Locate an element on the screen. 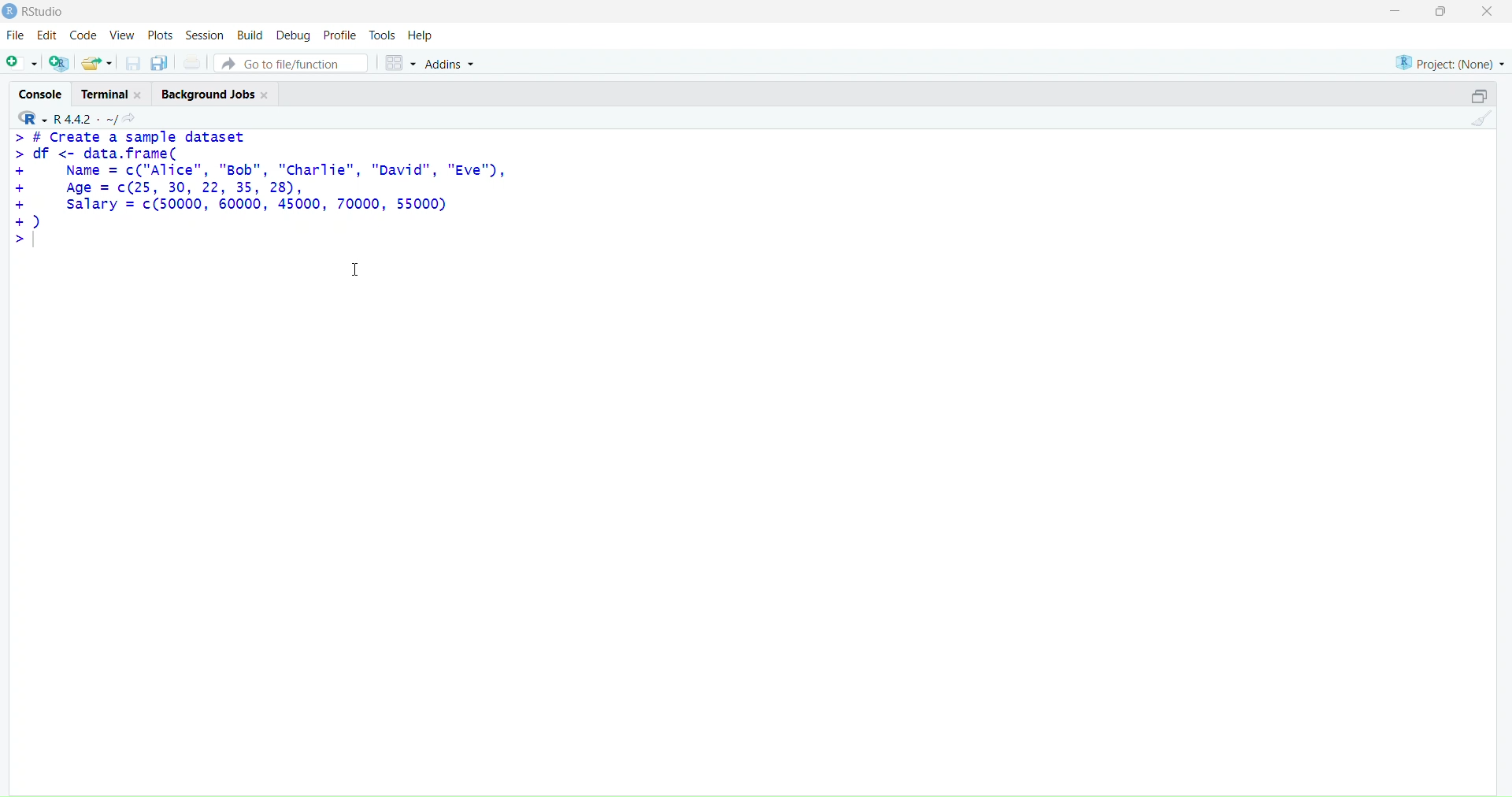  new script is located at coordinates (21, 63).